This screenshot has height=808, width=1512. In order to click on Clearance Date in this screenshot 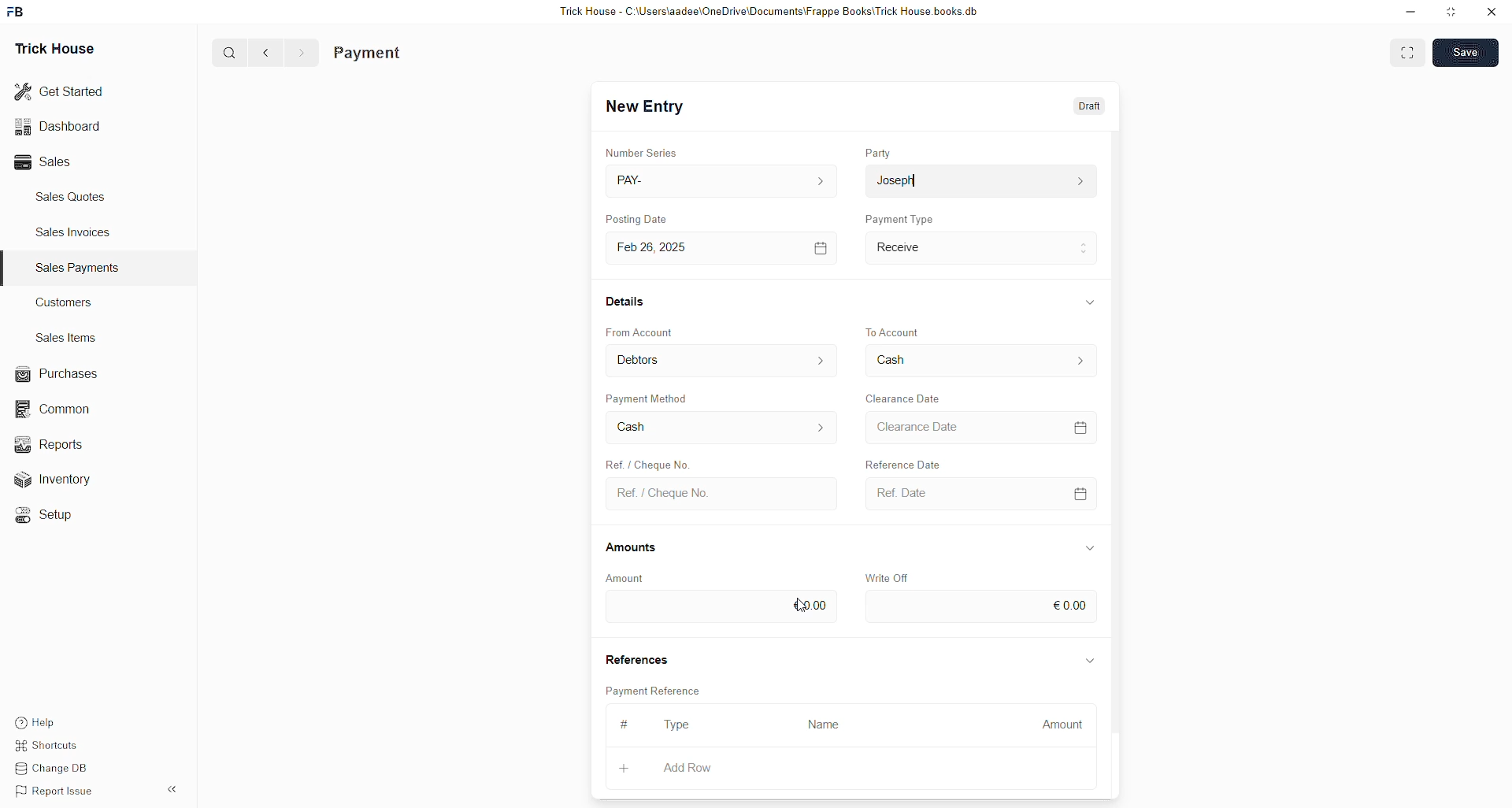, I will do `click(904, 398)`.